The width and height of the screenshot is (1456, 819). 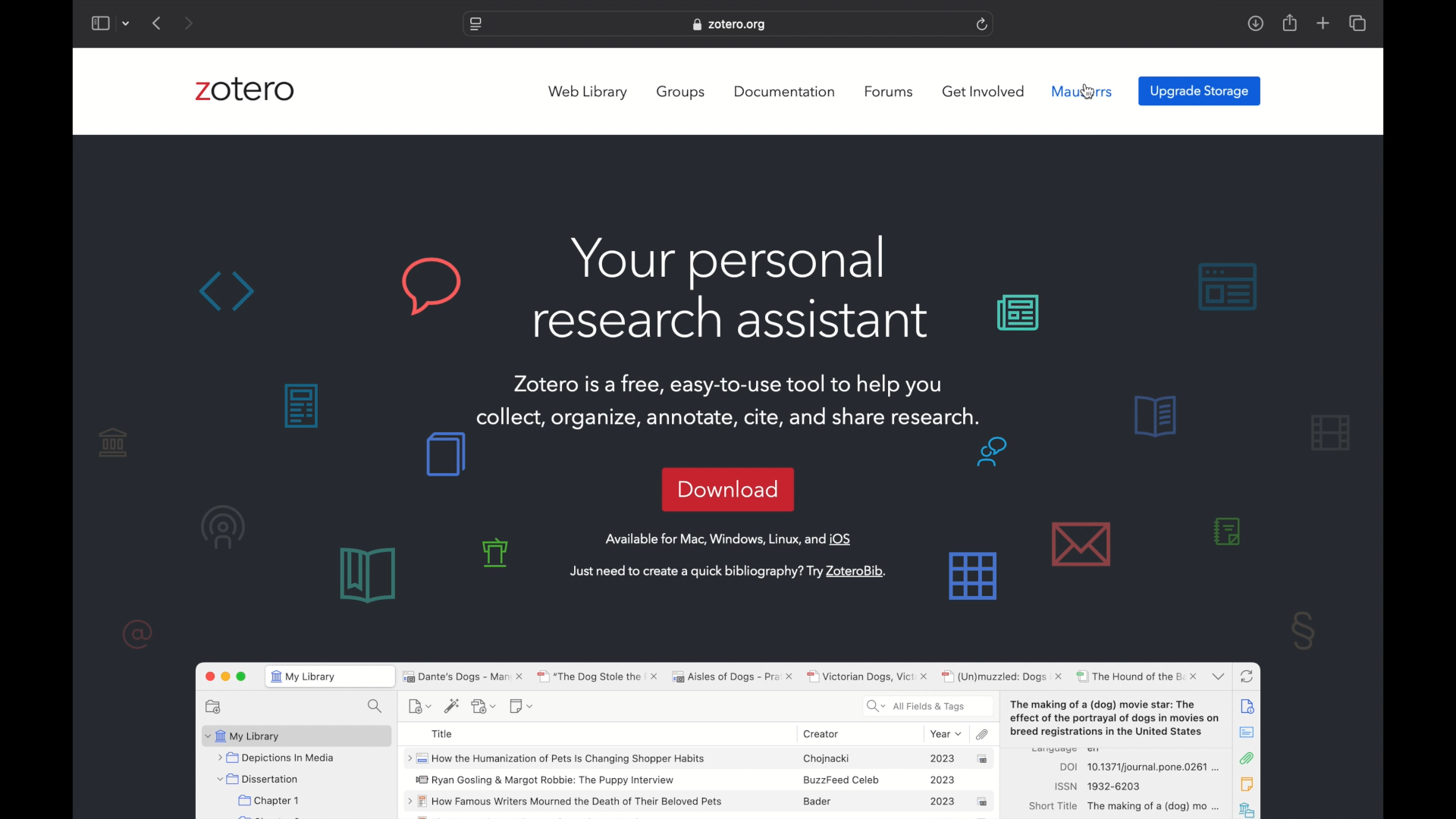 What do you see at coordinates (99, 23) in the screenshot?
I see `show sidebar` at bounding box center [99, 23].